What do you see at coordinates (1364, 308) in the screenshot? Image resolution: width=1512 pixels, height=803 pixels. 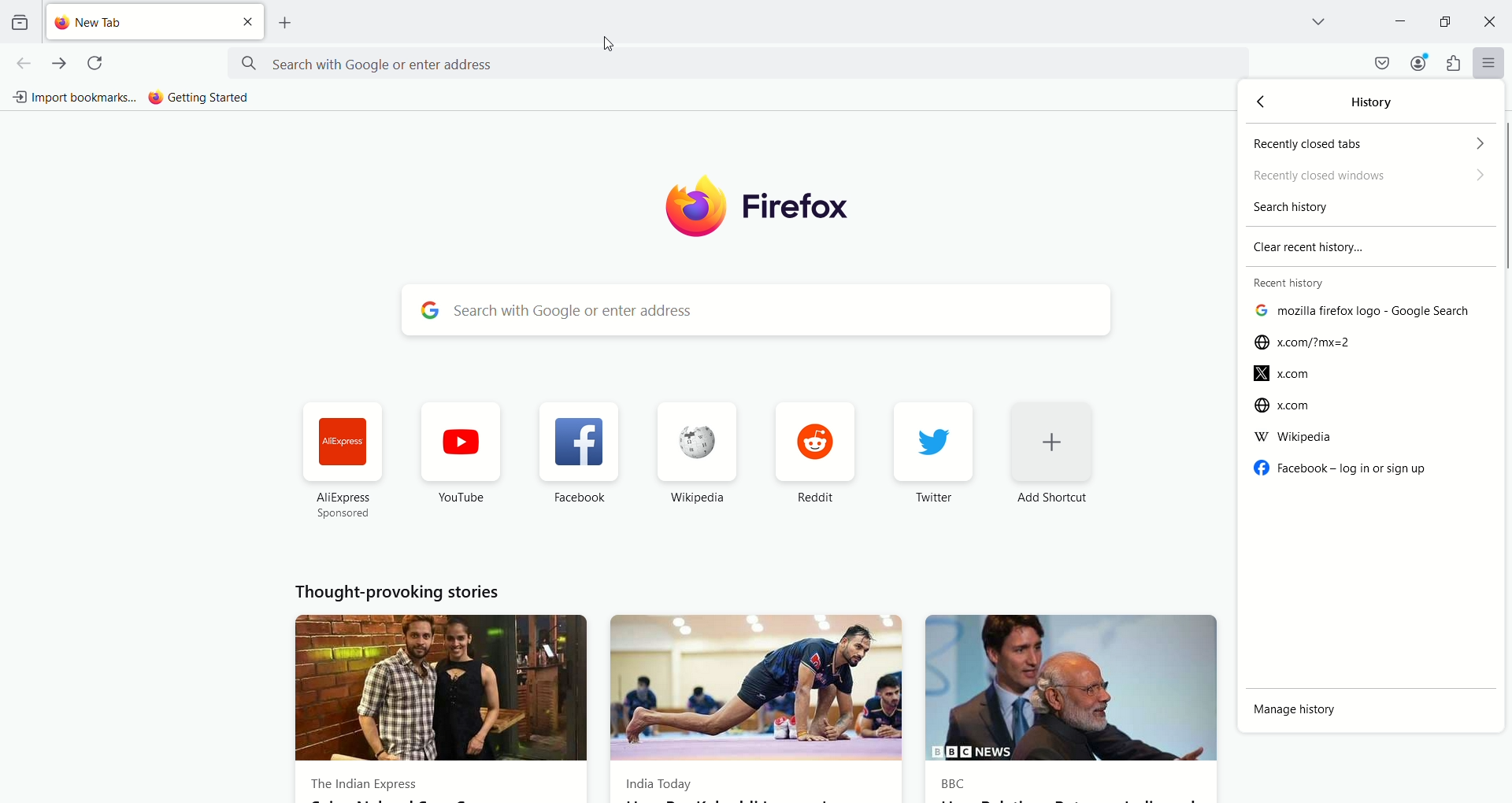 I see `list of recently opened websites` at bounding box center [1364, 308].